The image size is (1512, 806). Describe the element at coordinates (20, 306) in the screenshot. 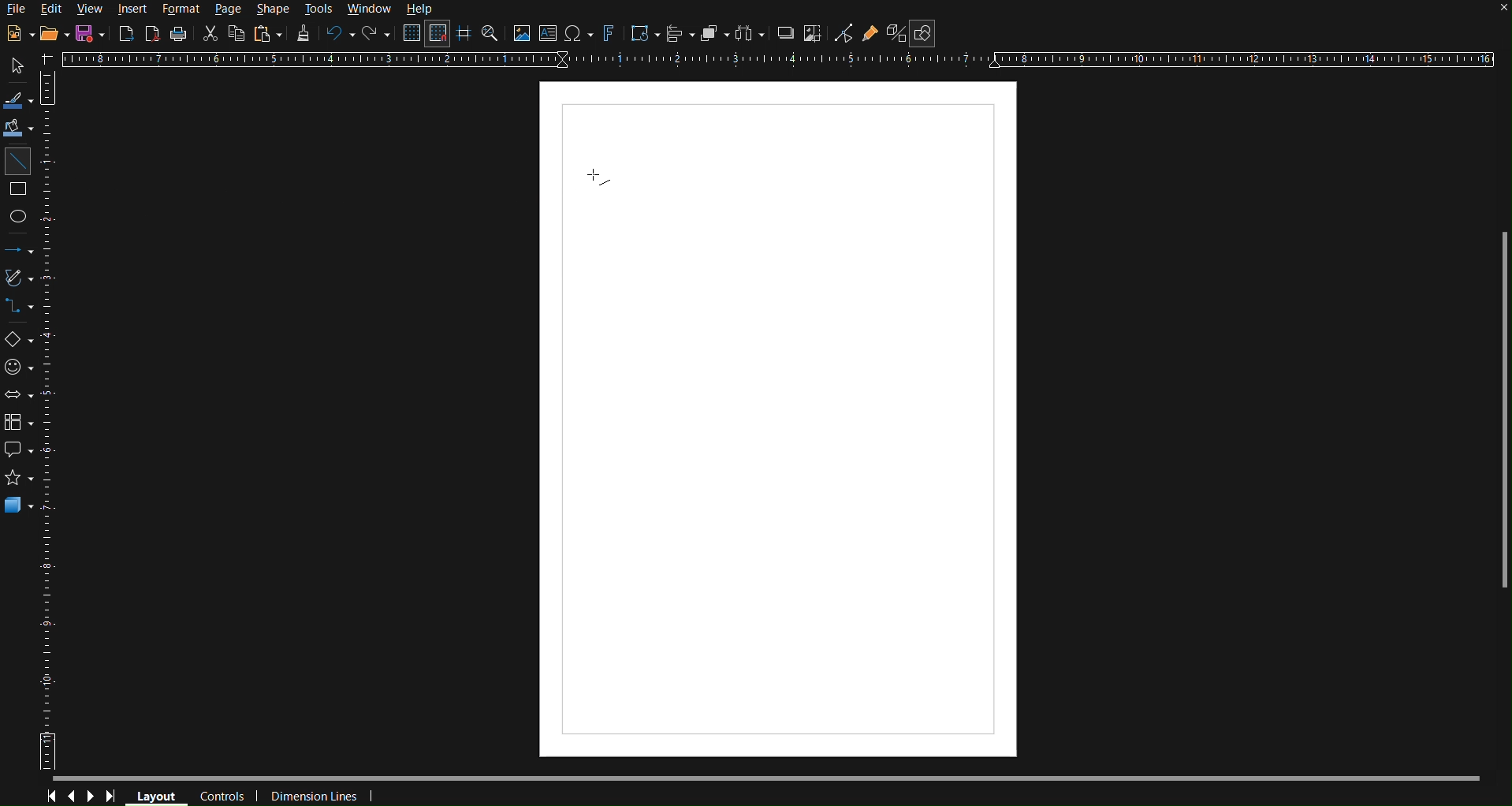

I see `Connections` at that location.